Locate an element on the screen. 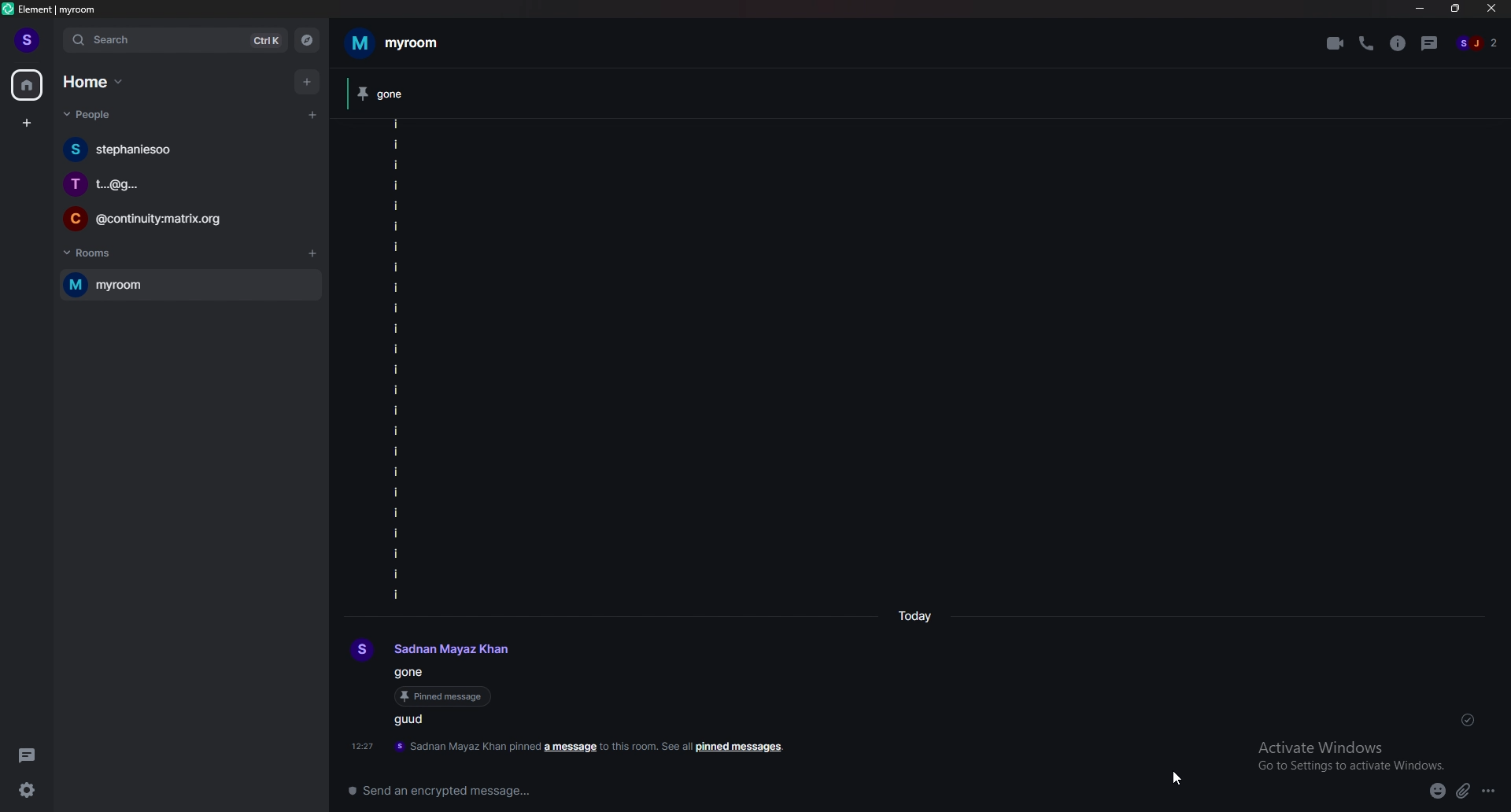 The width and height of the screenshot is (1511, 812). pinned message is located at coordinates (414, 670).